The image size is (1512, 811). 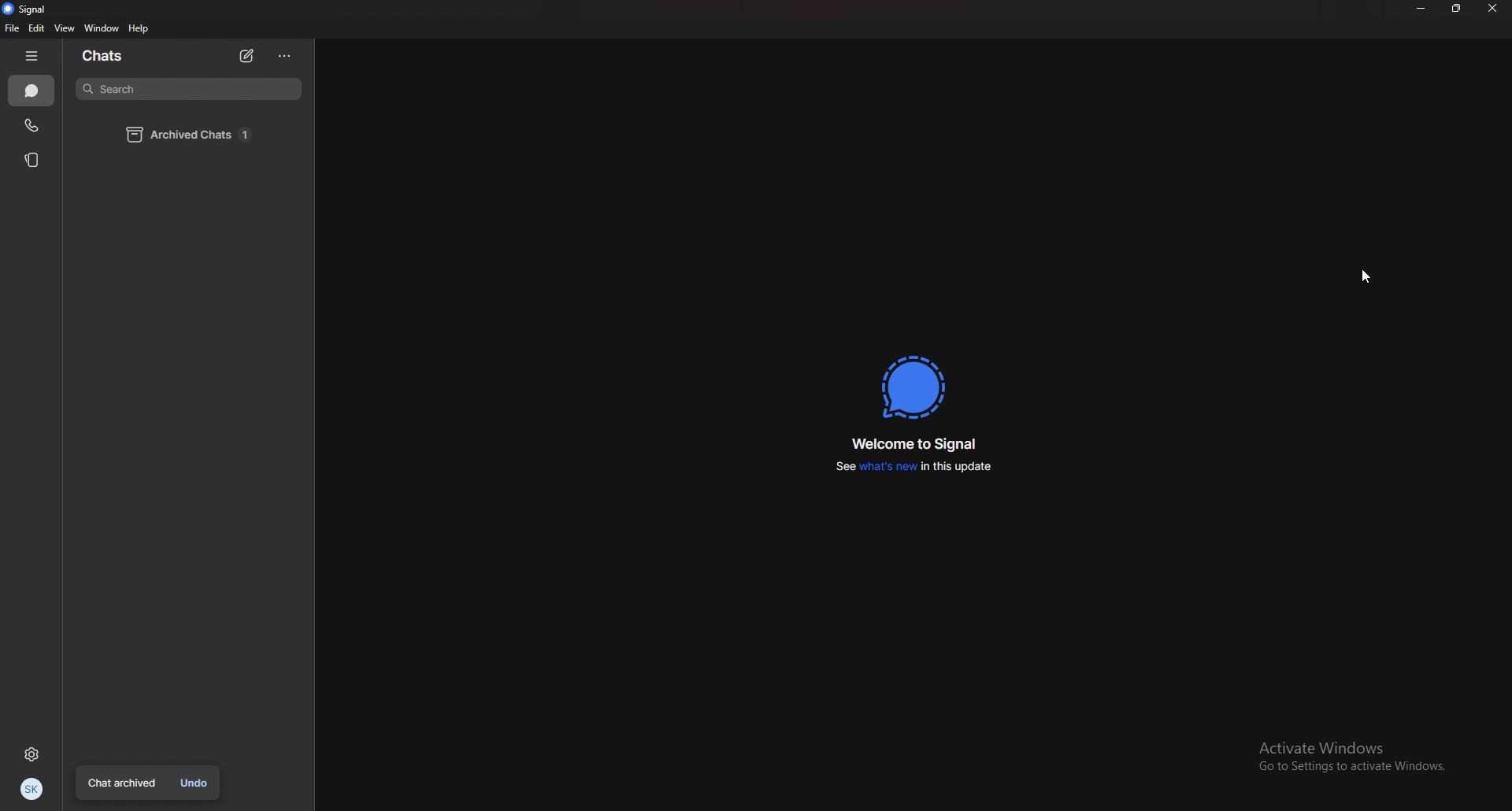 What do you see at coordinates (249, 56) in the screenshot?
I see `new chat` at bounding box center [249, 56].